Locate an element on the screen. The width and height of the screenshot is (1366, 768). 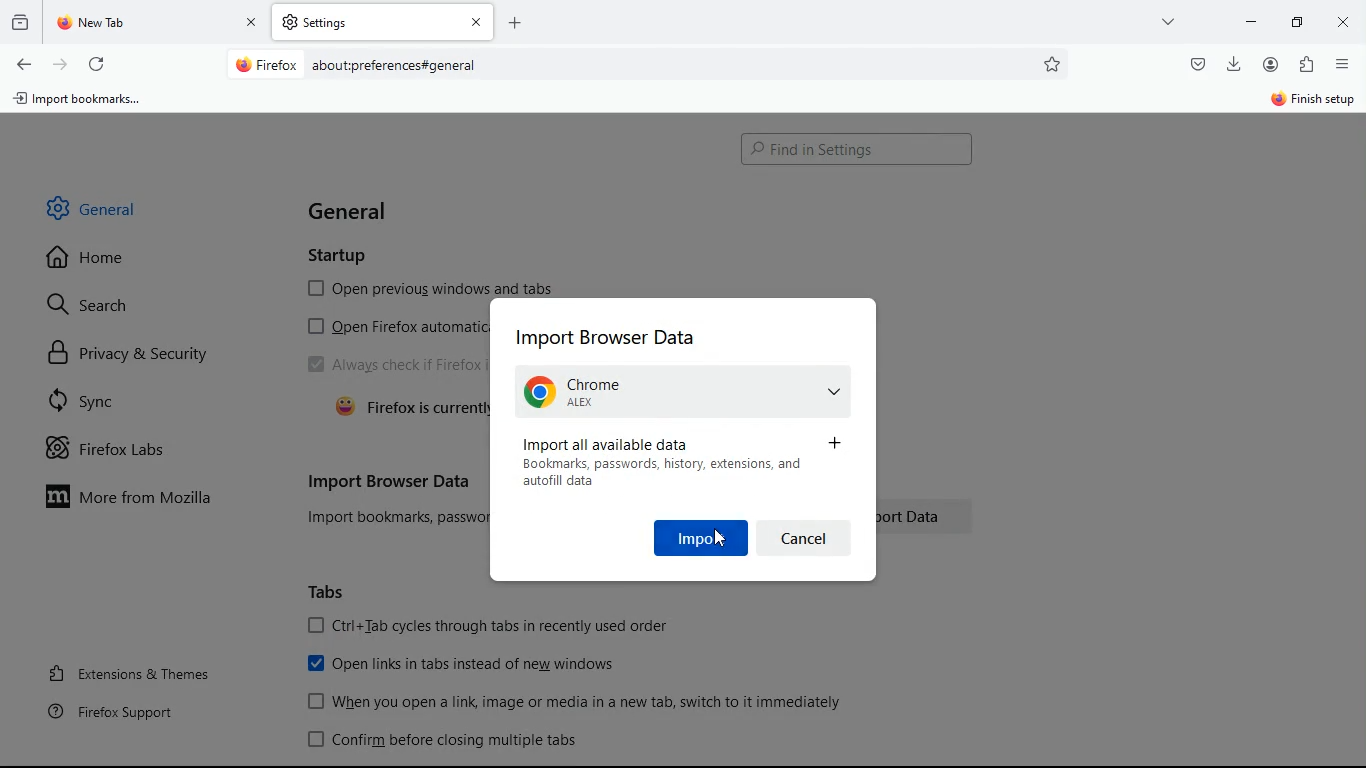
forward is located at coordinates (61, 66).